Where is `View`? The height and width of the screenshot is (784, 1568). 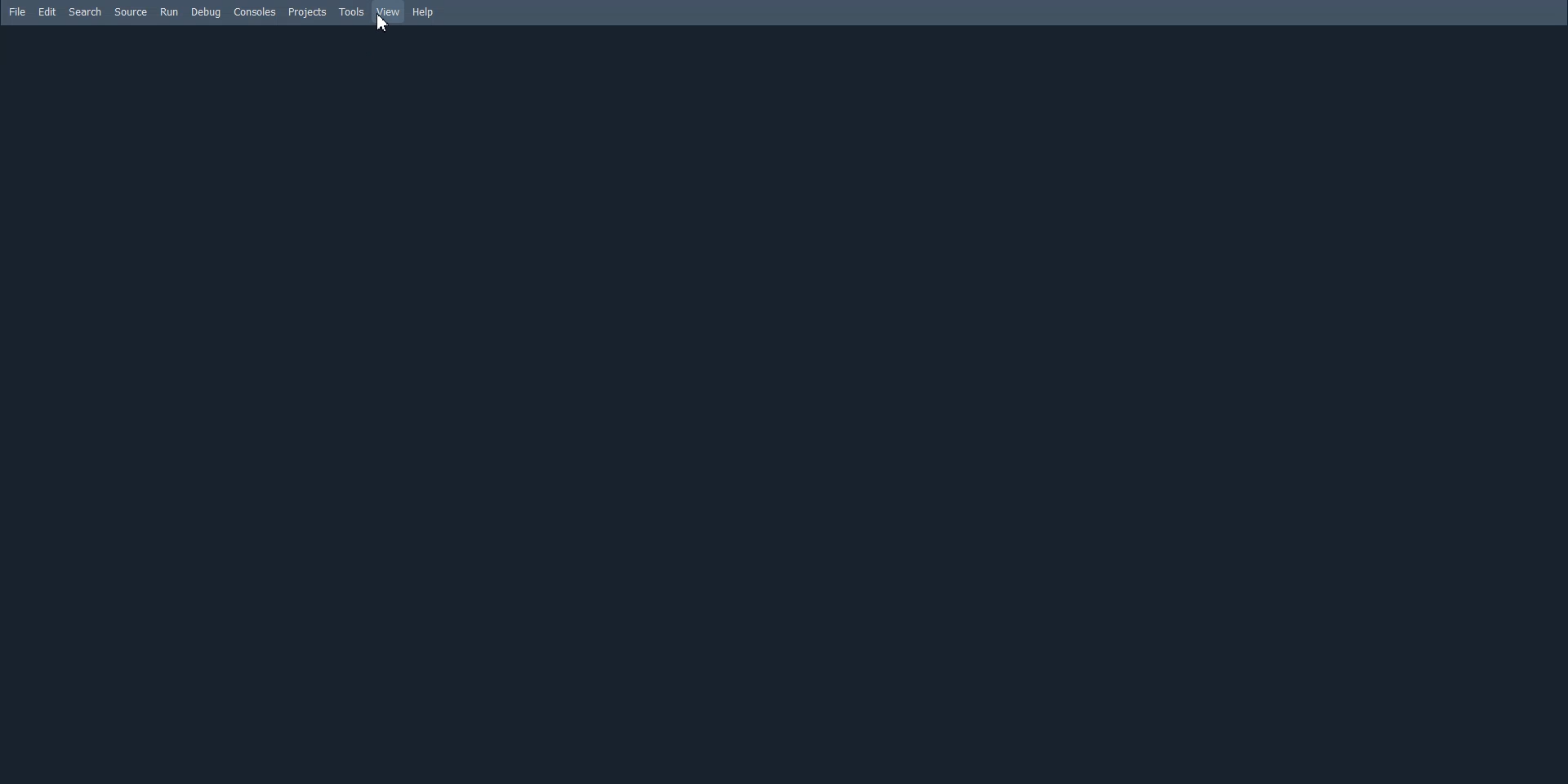 View is located at coordinates (389, 11).